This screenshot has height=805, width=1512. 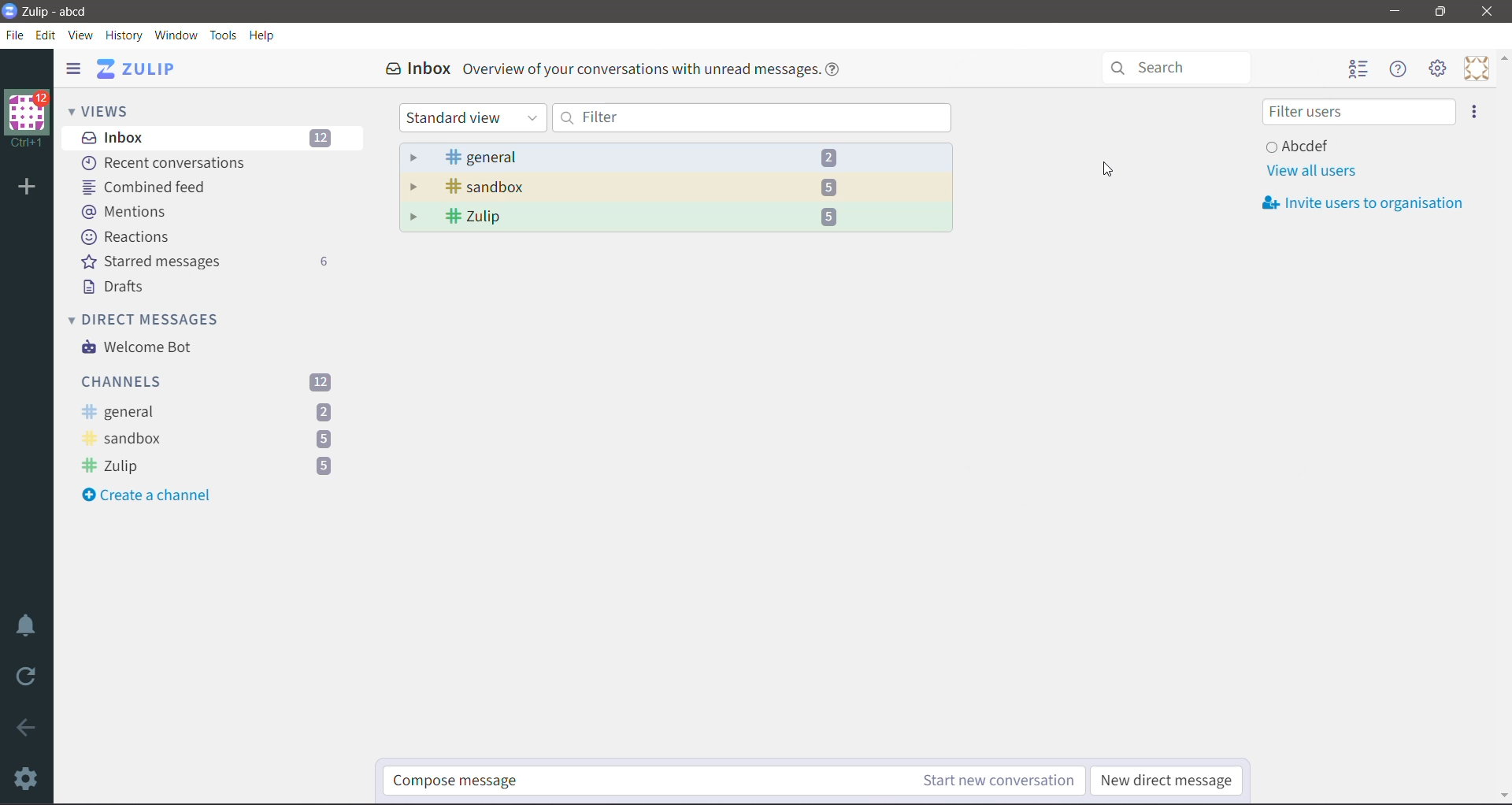 I want to click on Setting, so click(x=1439, y=69).